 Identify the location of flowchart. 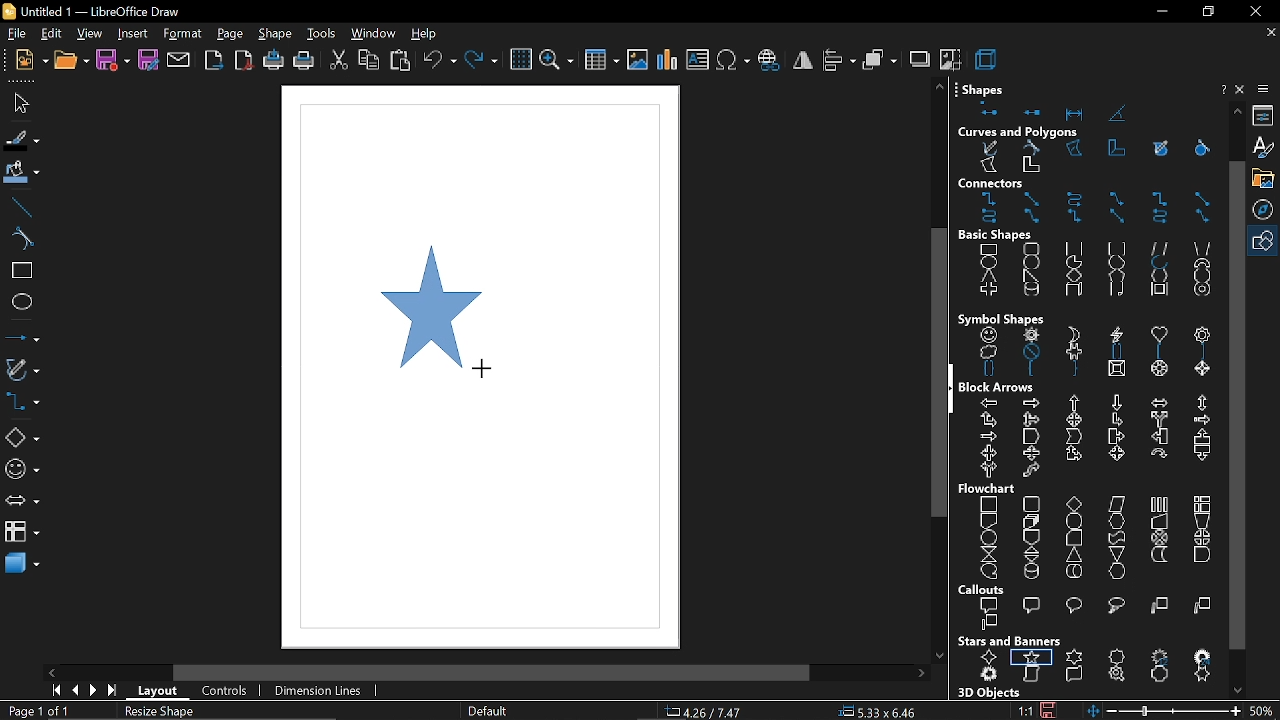
(21, 530).